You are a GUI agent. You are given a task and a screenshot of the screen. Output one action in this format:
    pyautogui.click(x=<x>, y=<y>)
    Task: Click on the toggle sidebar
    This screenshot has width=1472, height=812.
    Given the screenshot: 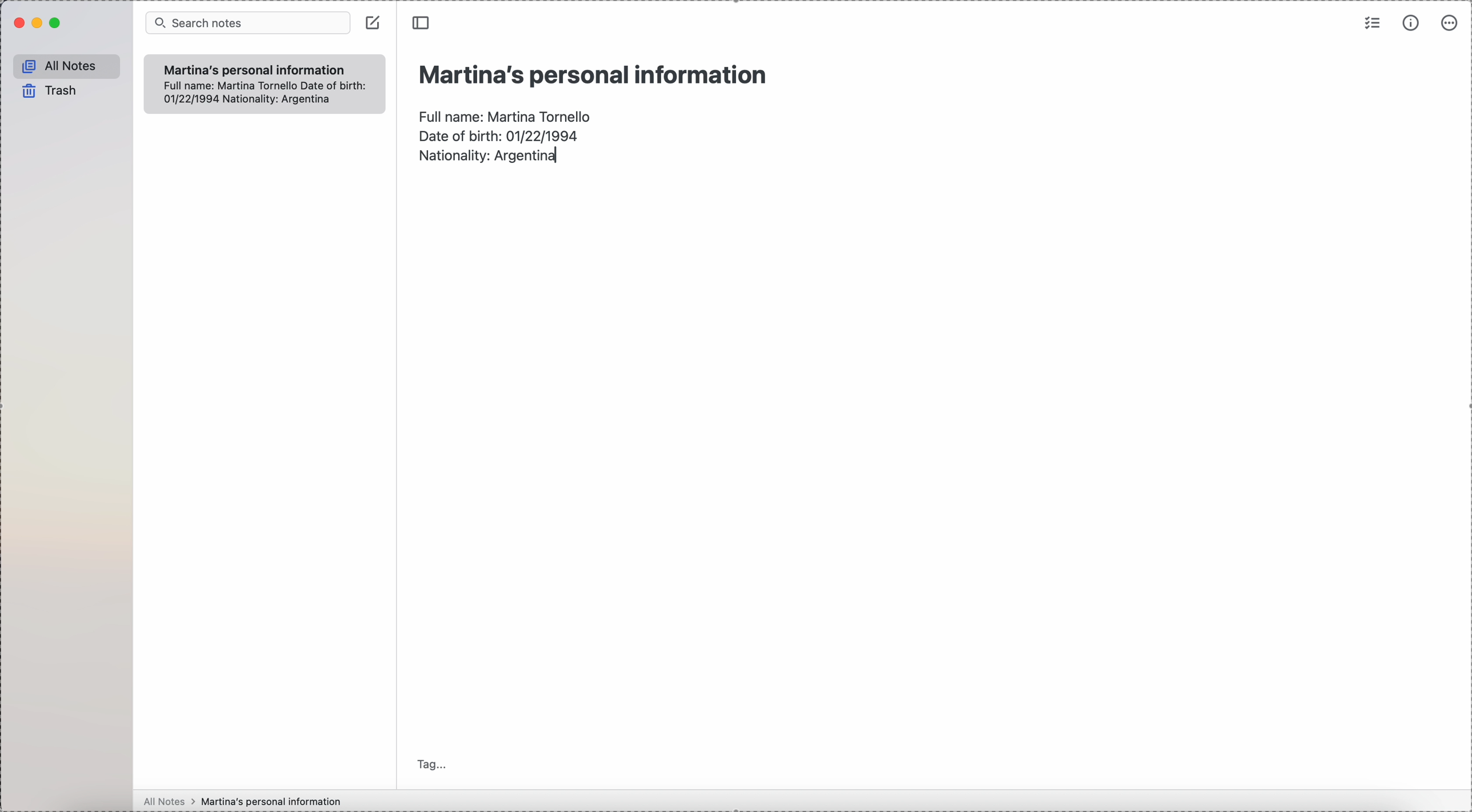 What is the action you would take?
    pyautogui.click(x=419, y=23)
    